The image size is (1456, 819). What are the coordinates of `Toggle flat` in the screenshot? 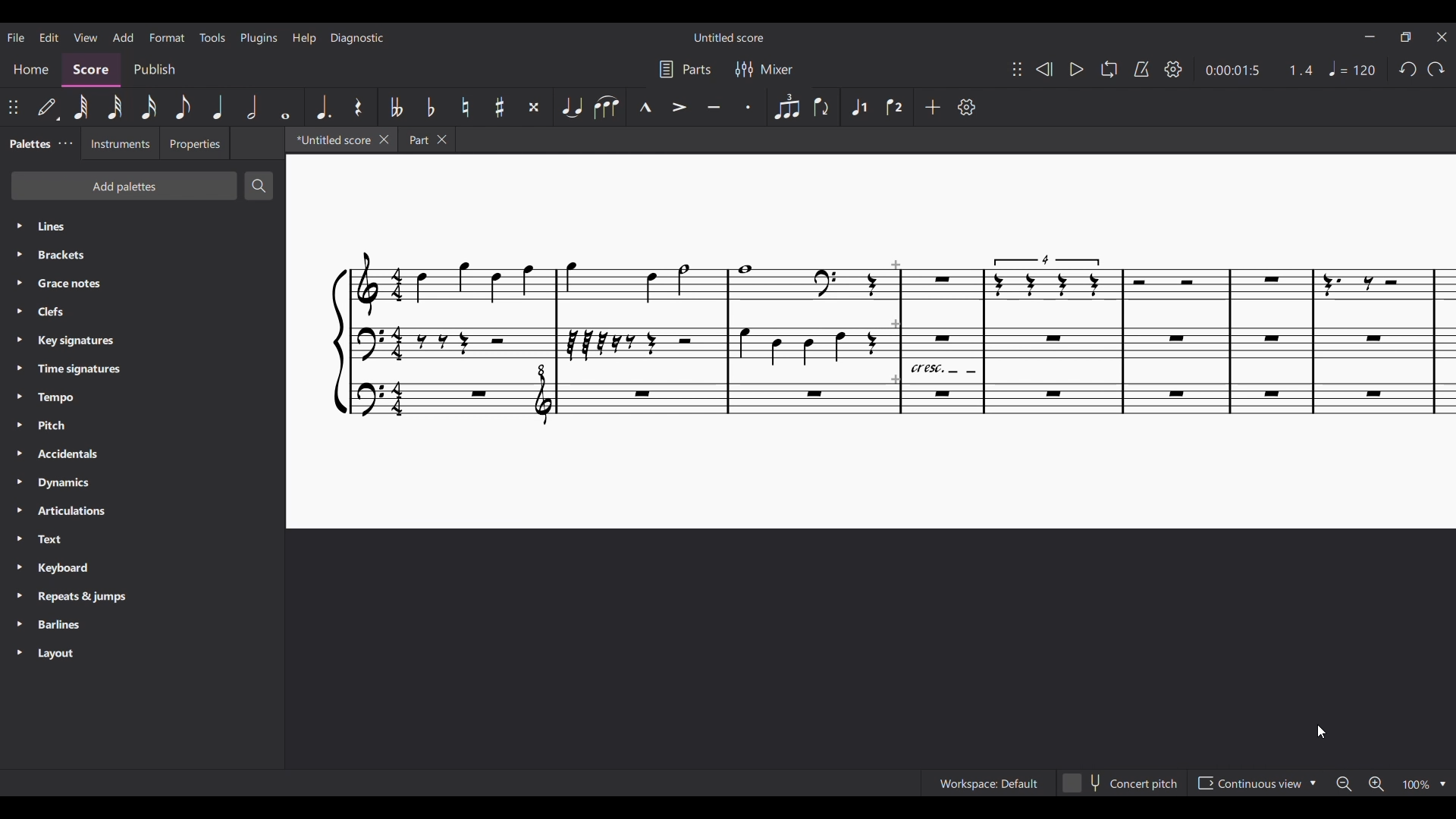 It's located at (430, 106).